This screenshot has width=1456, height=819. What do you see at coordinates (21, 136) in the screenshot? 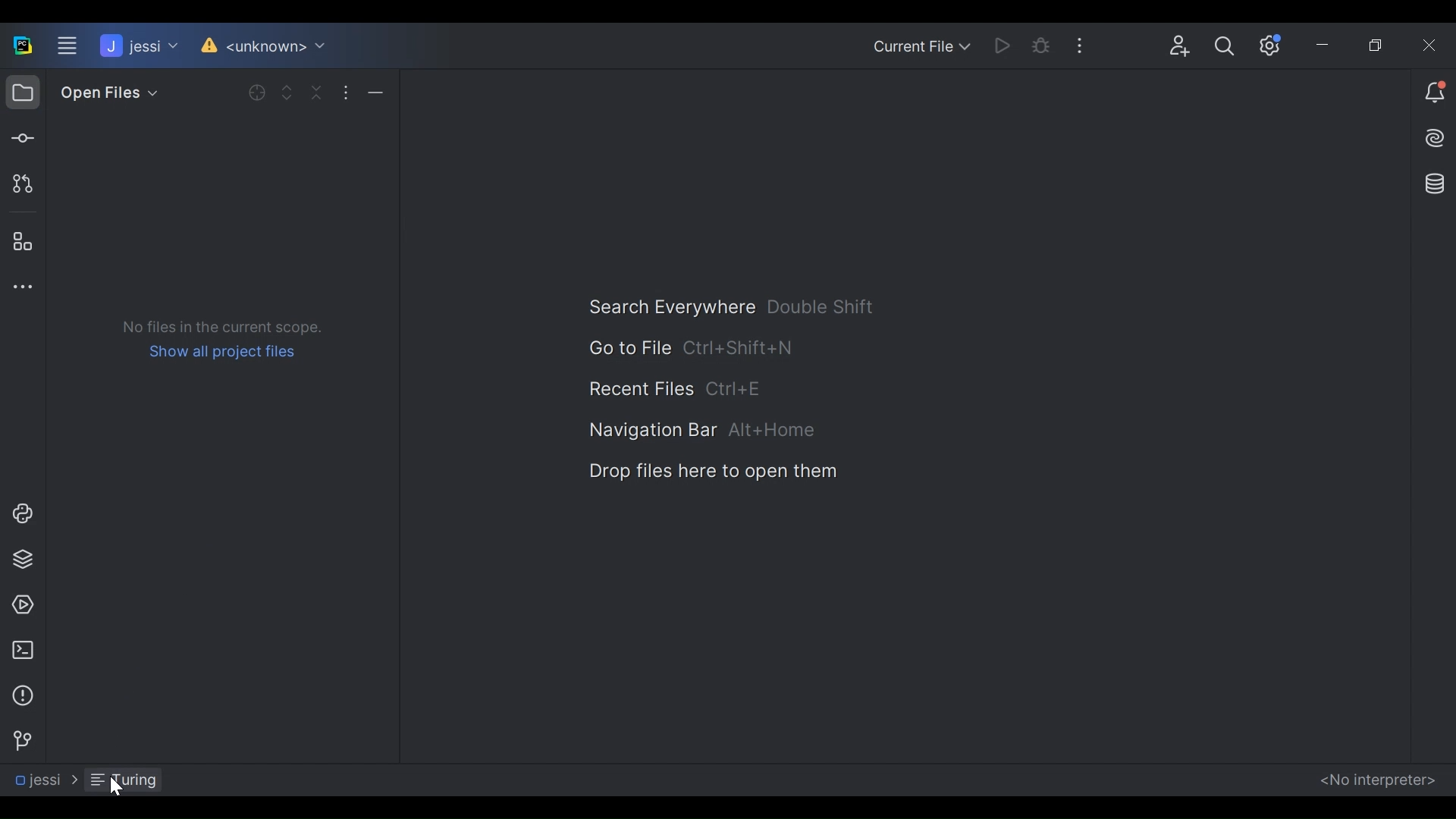
I see `Commit` at bounding box center [21, 136].